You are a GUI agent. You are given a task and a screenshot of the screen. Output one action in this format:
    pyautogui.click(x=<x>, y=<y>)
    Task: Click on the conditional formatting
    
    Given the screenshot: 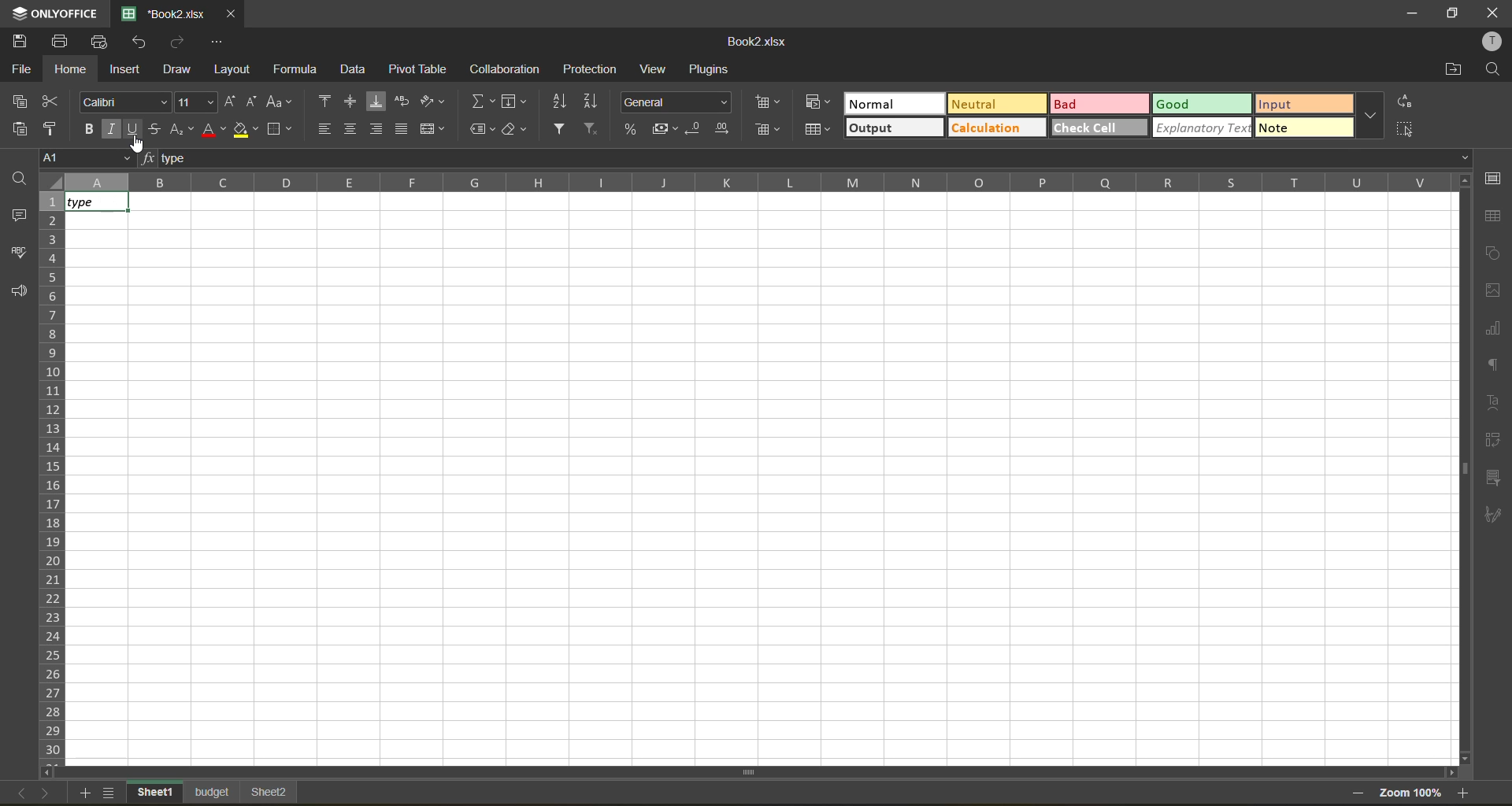 What is the action you would take?
    pyautogui.click(x=817, y=102)
    